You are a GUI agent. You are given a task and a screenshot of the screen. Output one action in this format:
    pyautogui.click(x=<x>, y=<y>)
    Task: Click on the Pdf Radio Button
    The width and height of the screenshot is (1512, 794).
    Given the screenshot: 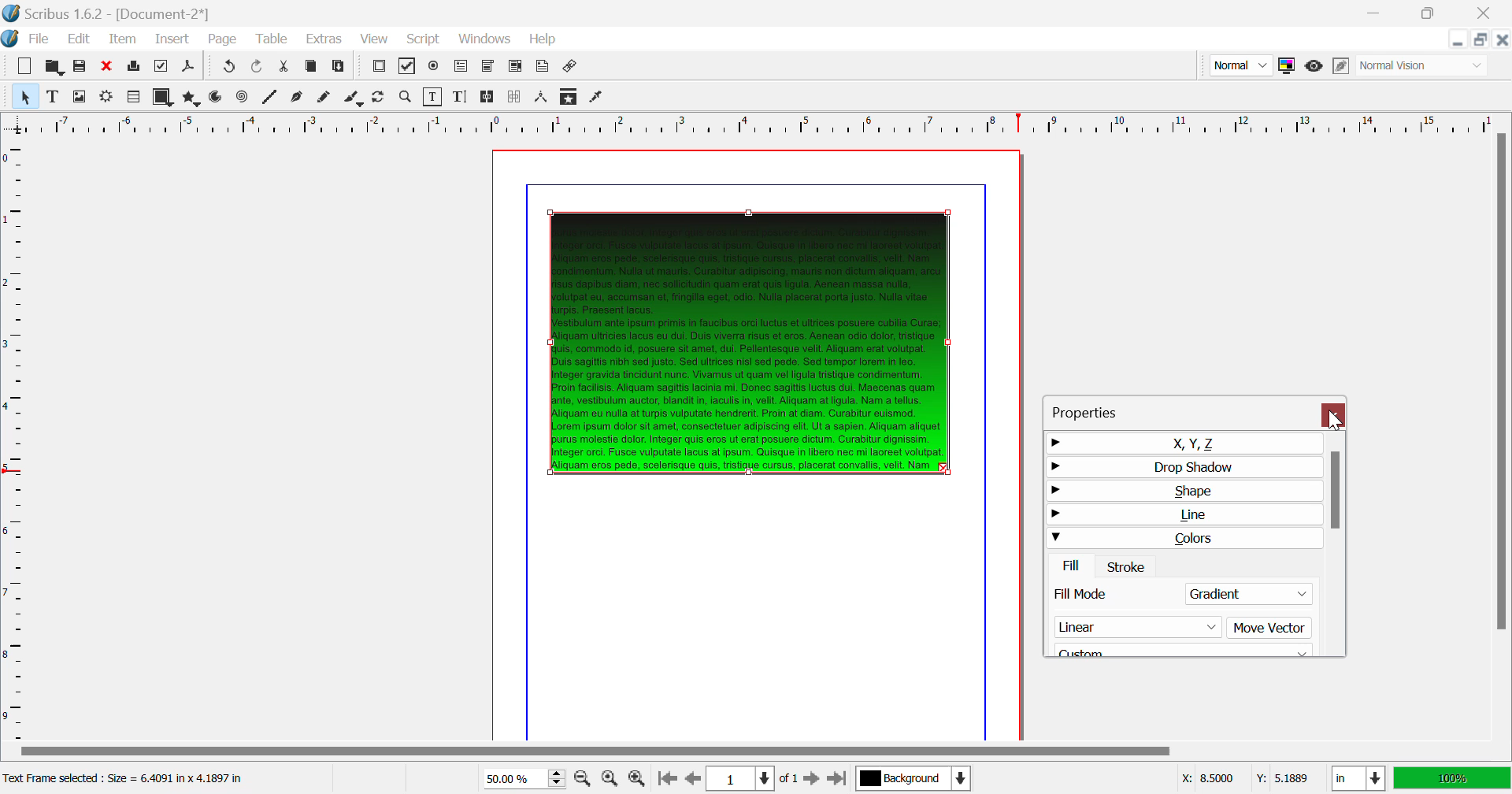 What is the action you would take?
    pyautogui.click(x=434, y=68)
    